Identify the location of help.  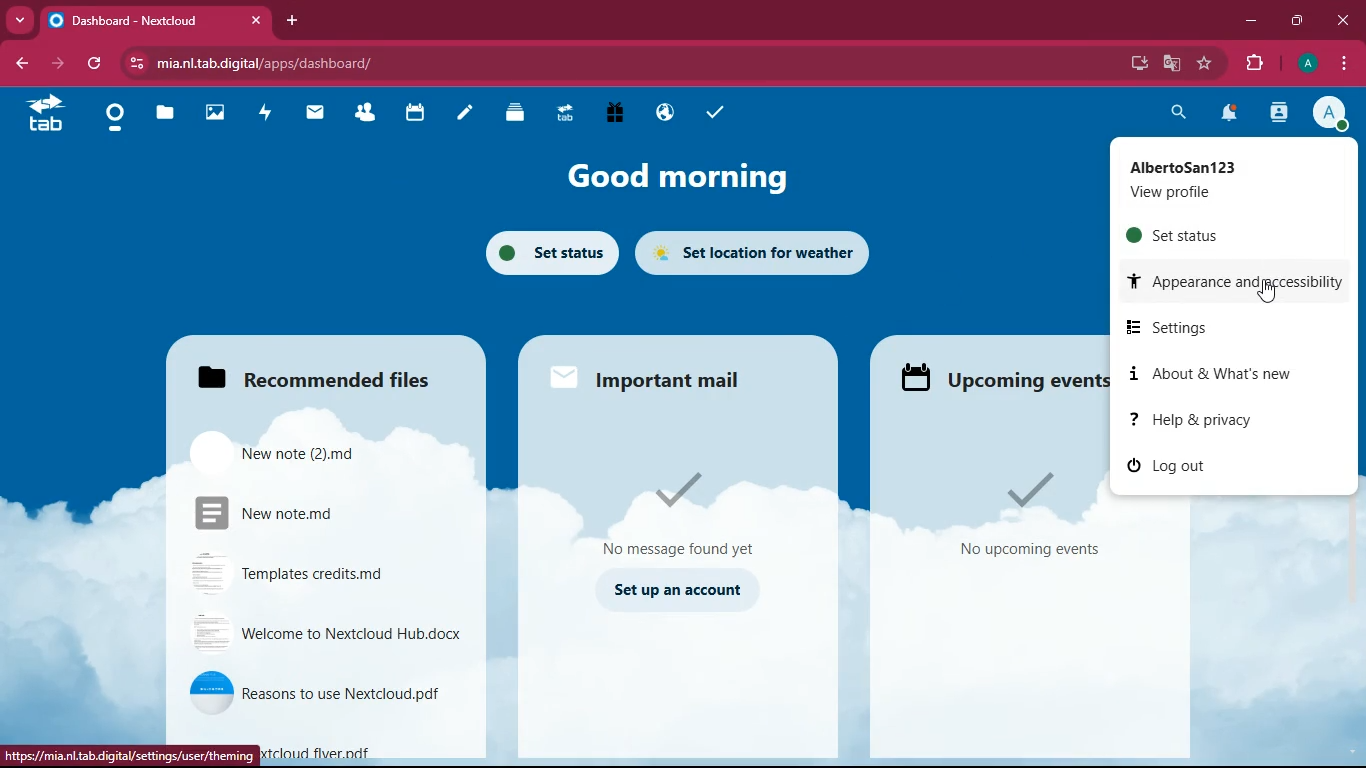
(1195, 419).